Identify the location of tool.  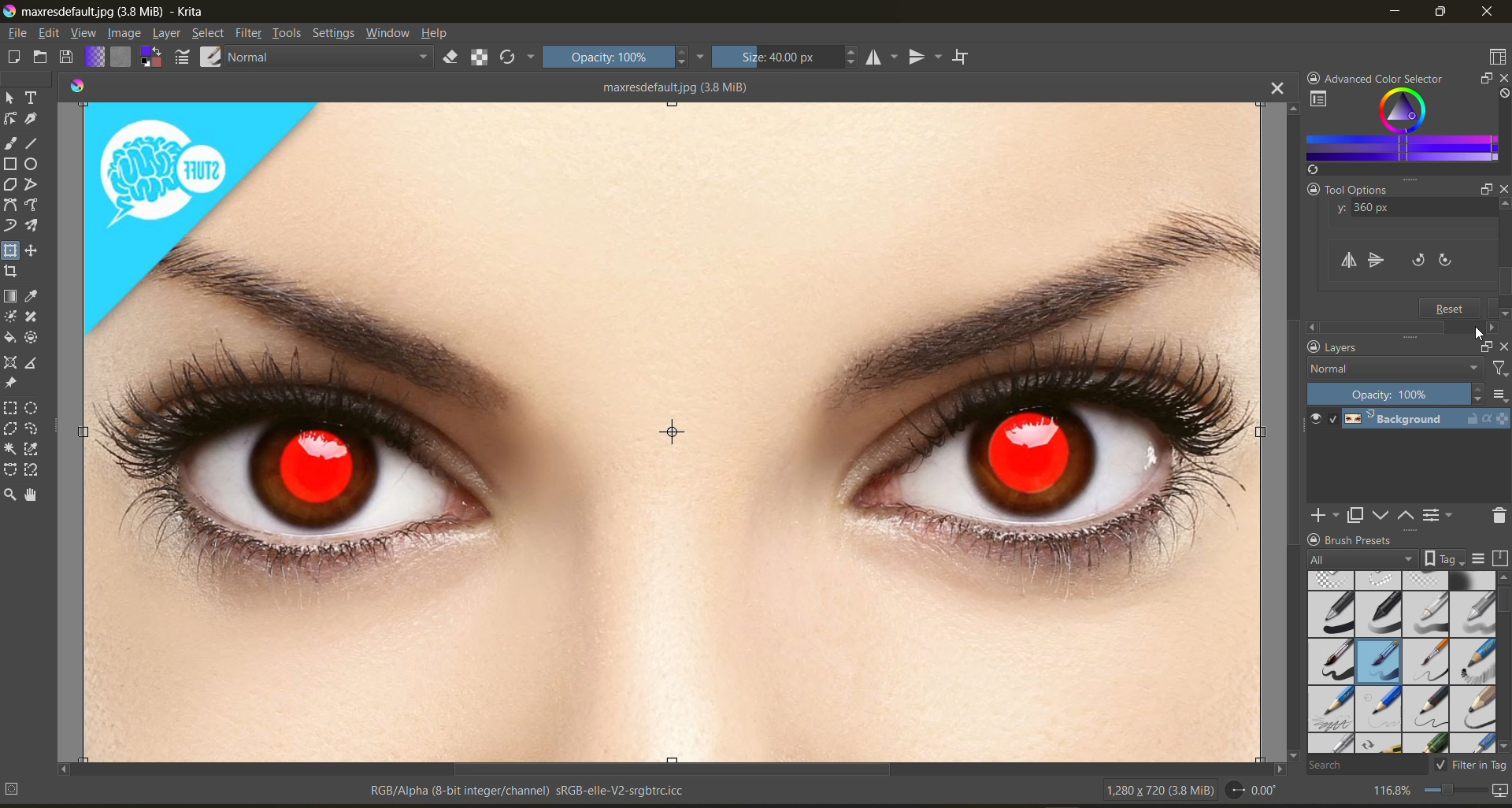
(9, 468).